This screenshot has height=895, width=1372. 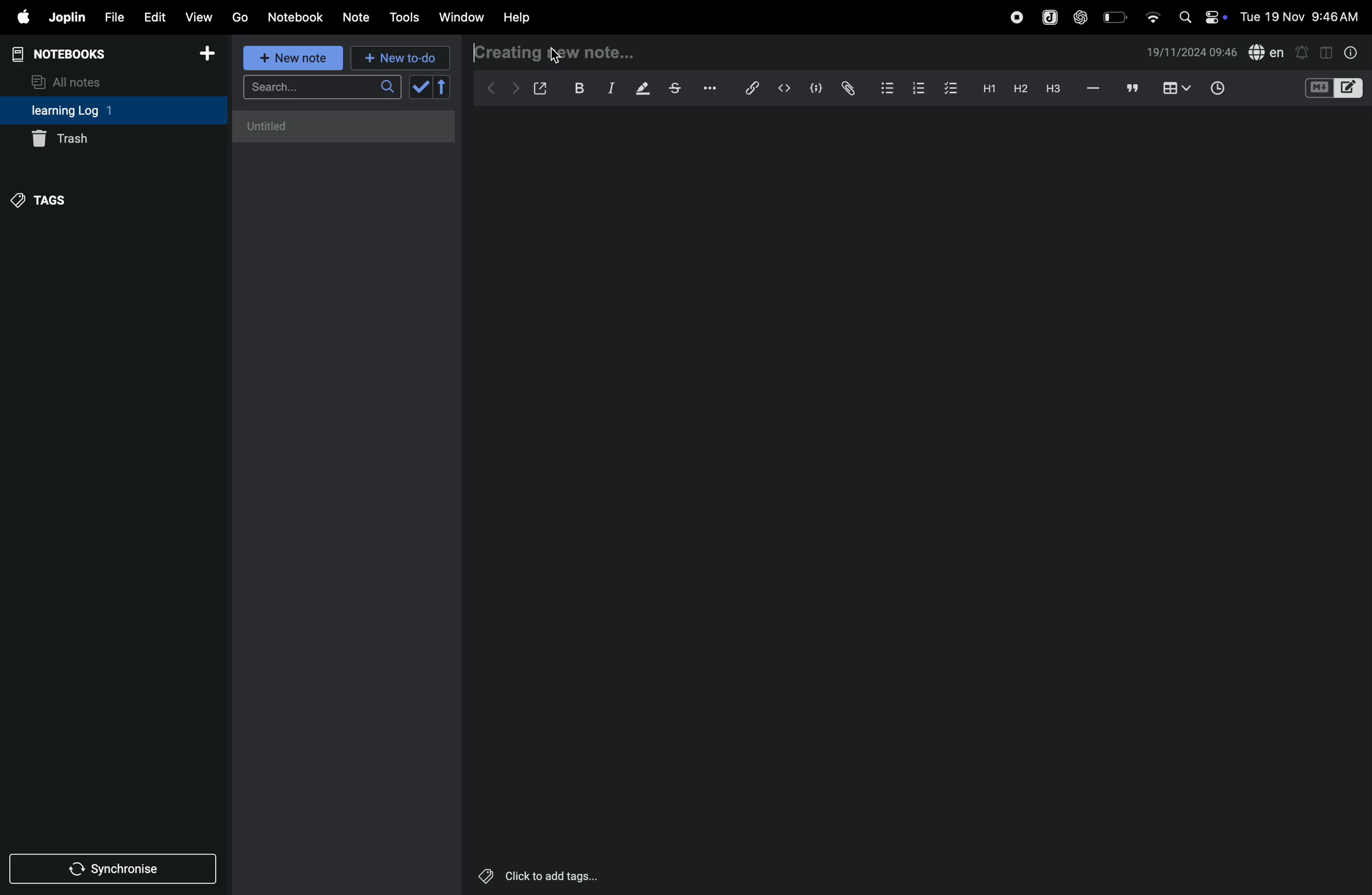 I want to click on tools, so click(x=402, y=17).